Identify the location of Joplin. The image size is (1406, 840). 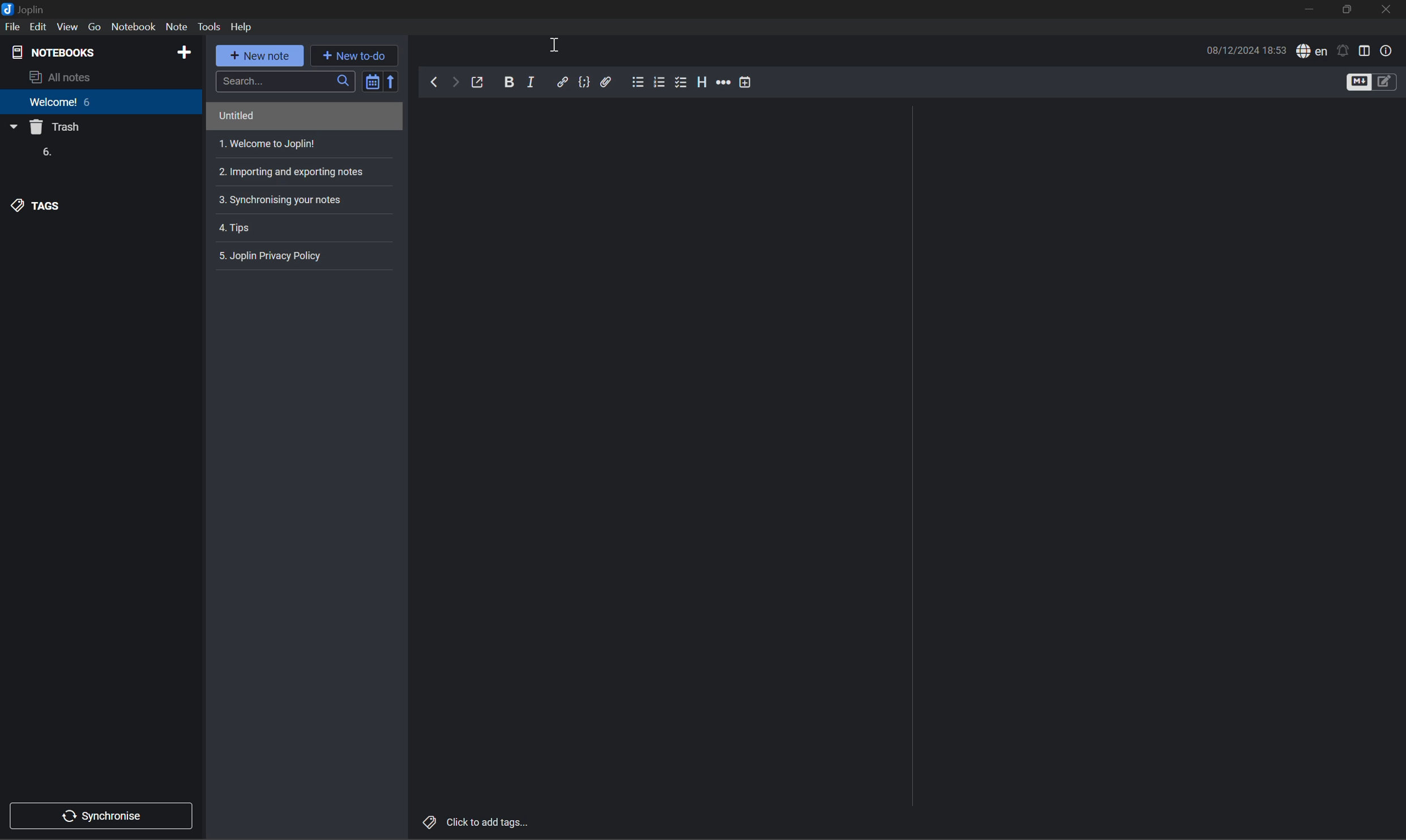
(25, 7).